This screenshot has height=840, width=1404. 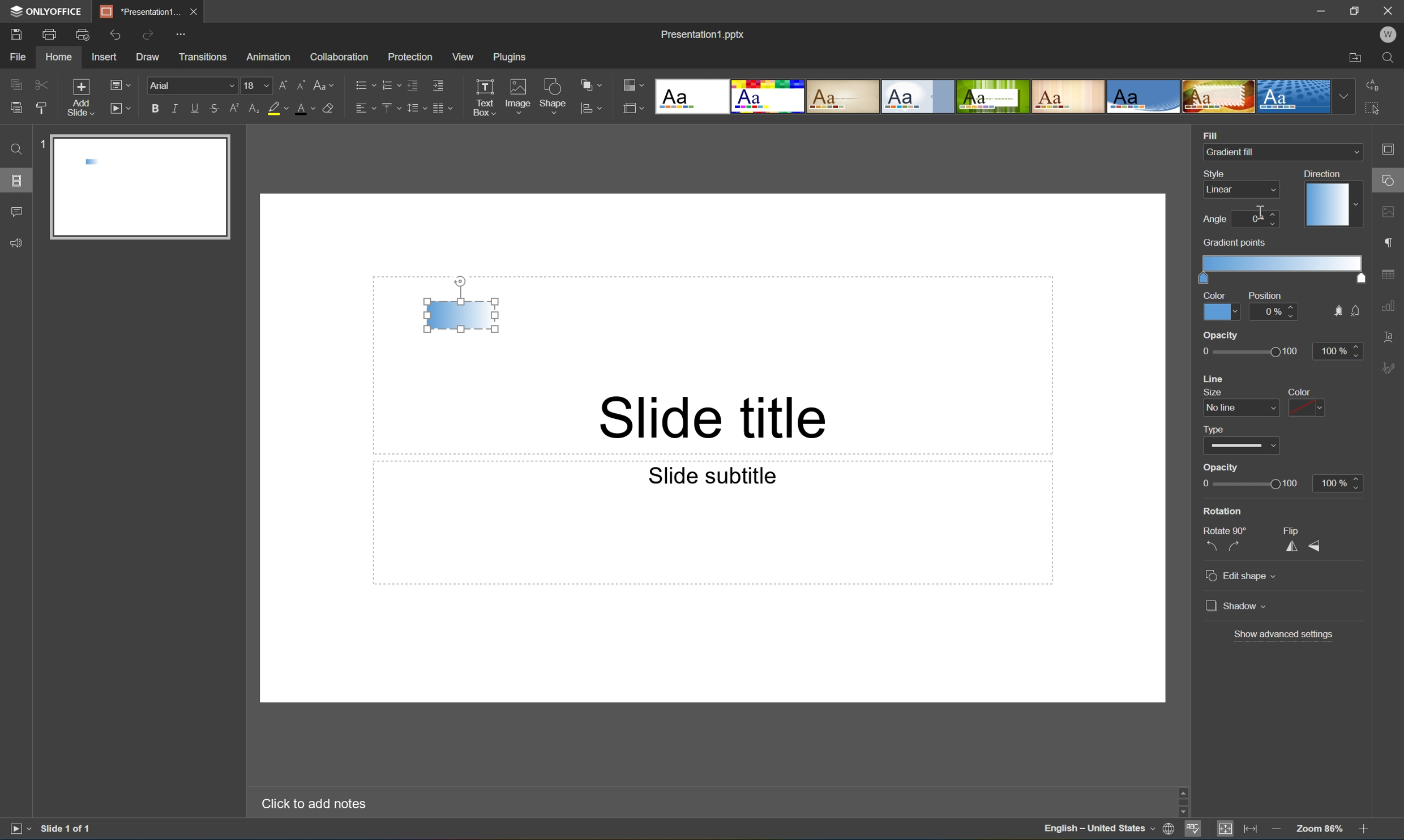 I want to click on Change color theme, so click(x=633, y=86).